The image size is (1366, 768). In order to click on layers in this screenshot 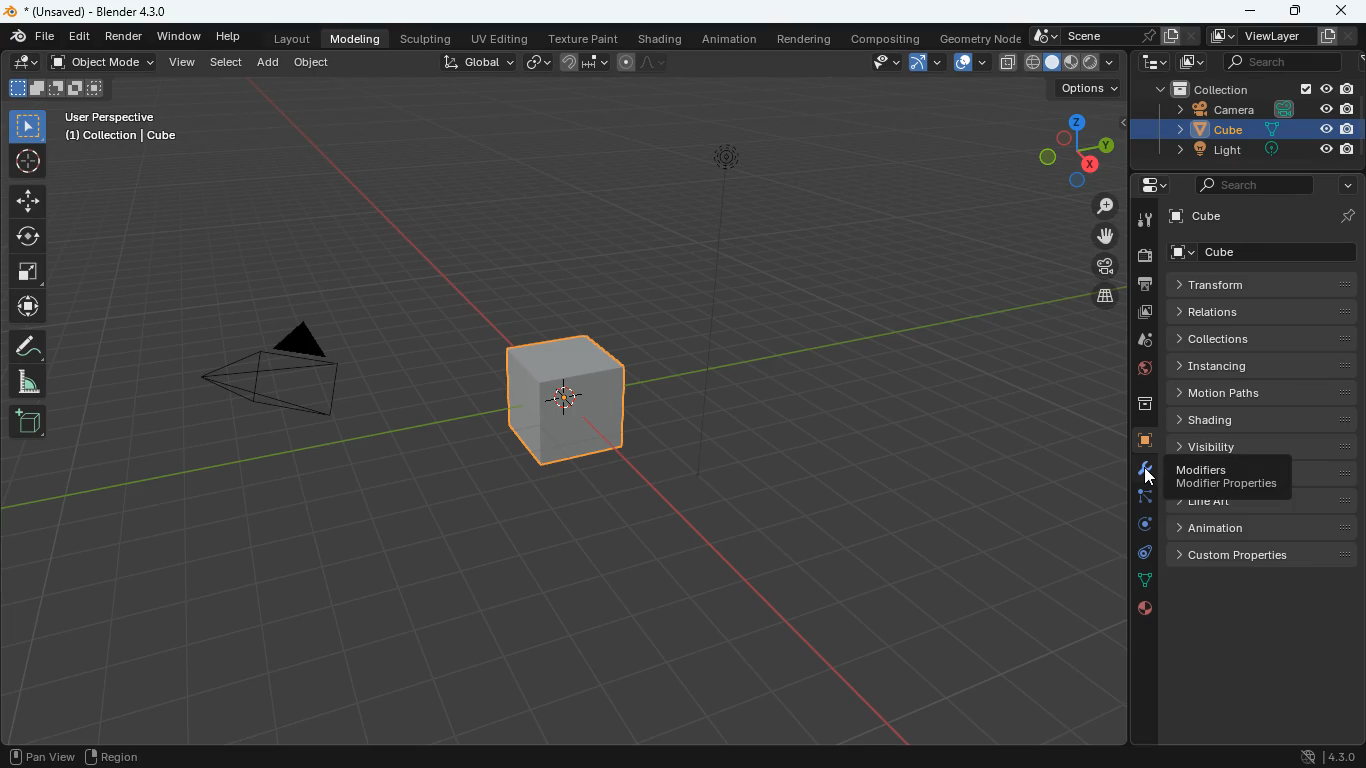, I will do `click(1098, 299)`.